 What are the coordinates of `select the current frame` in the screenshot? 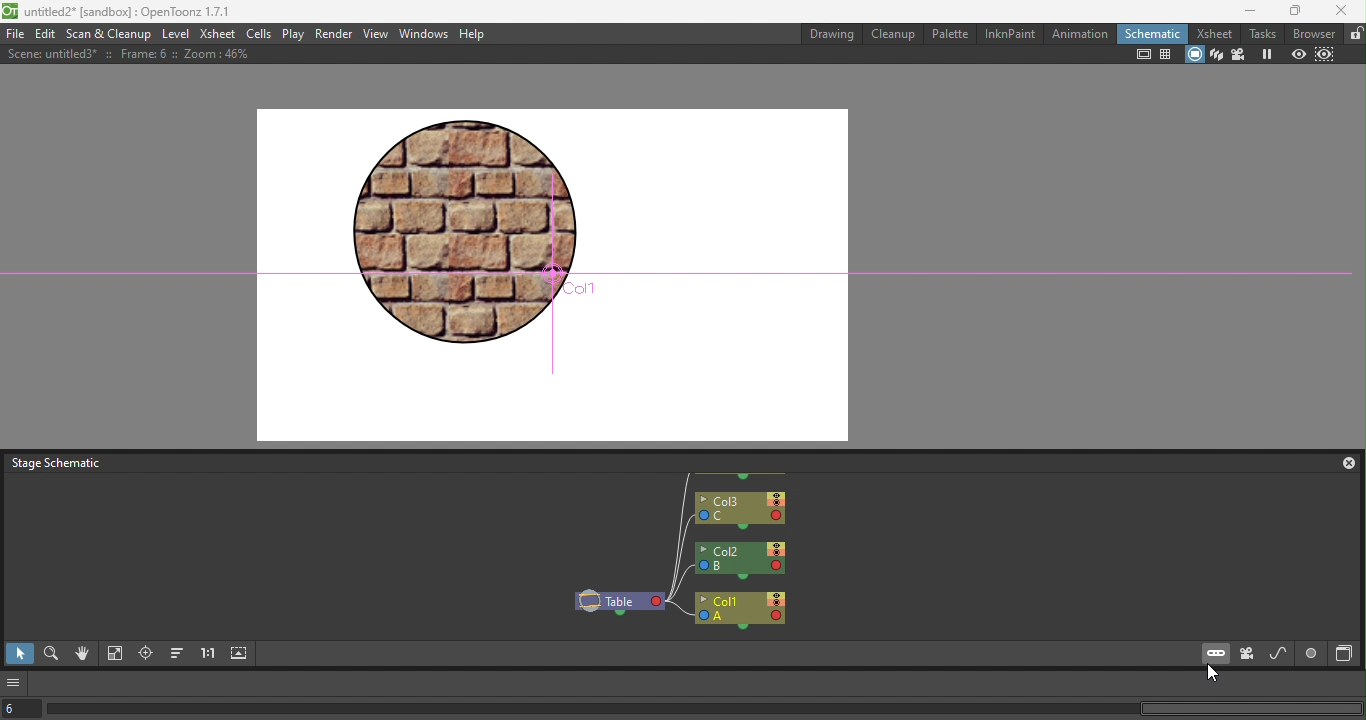 It's located at (21, 709).